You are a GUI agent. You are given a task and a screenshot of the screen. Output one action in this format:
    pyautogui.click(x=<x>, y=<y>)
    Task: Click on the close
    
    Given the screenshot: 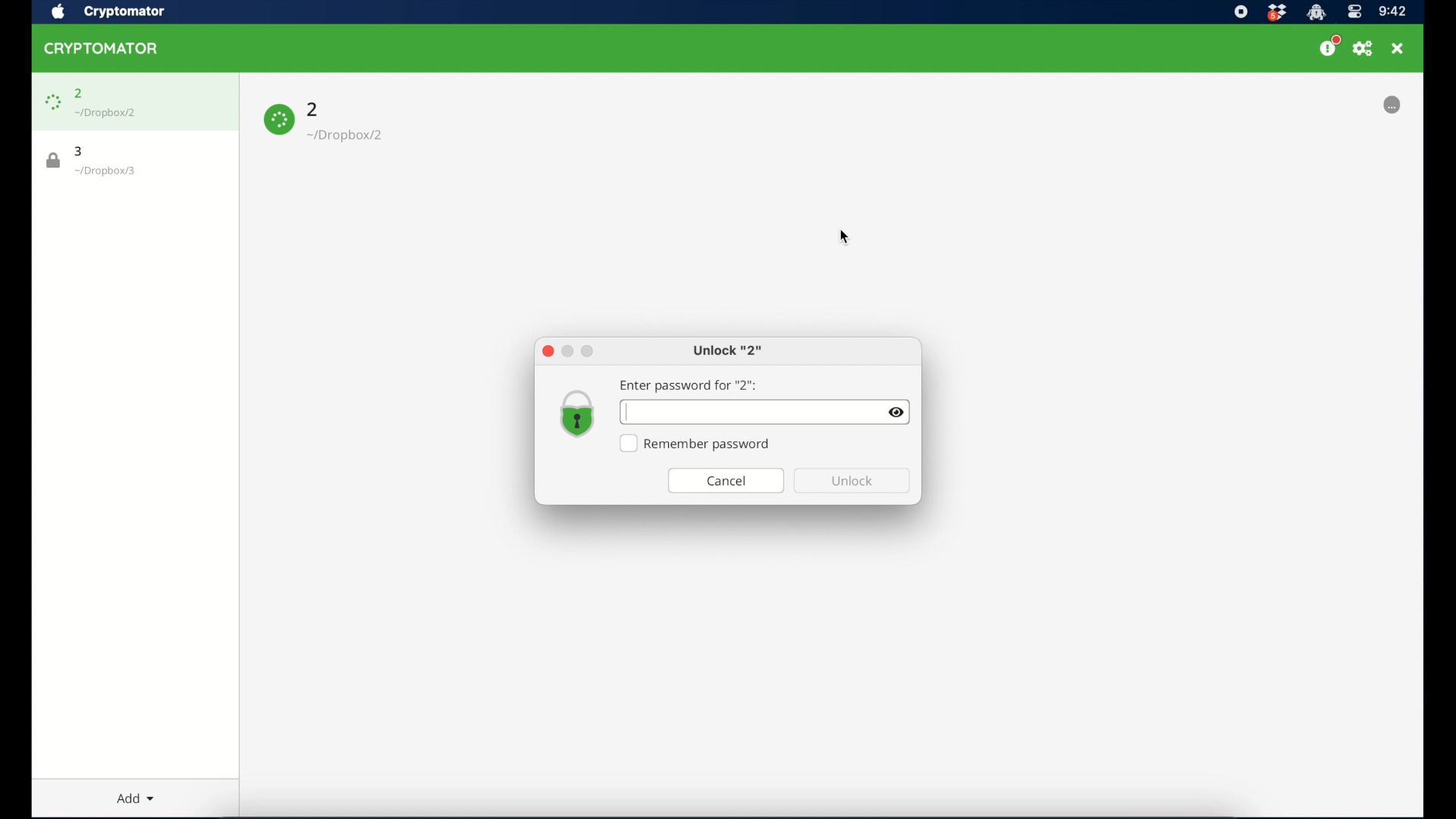 What is the action you would take?
    pyautogui.click(x=547, y=351)
    